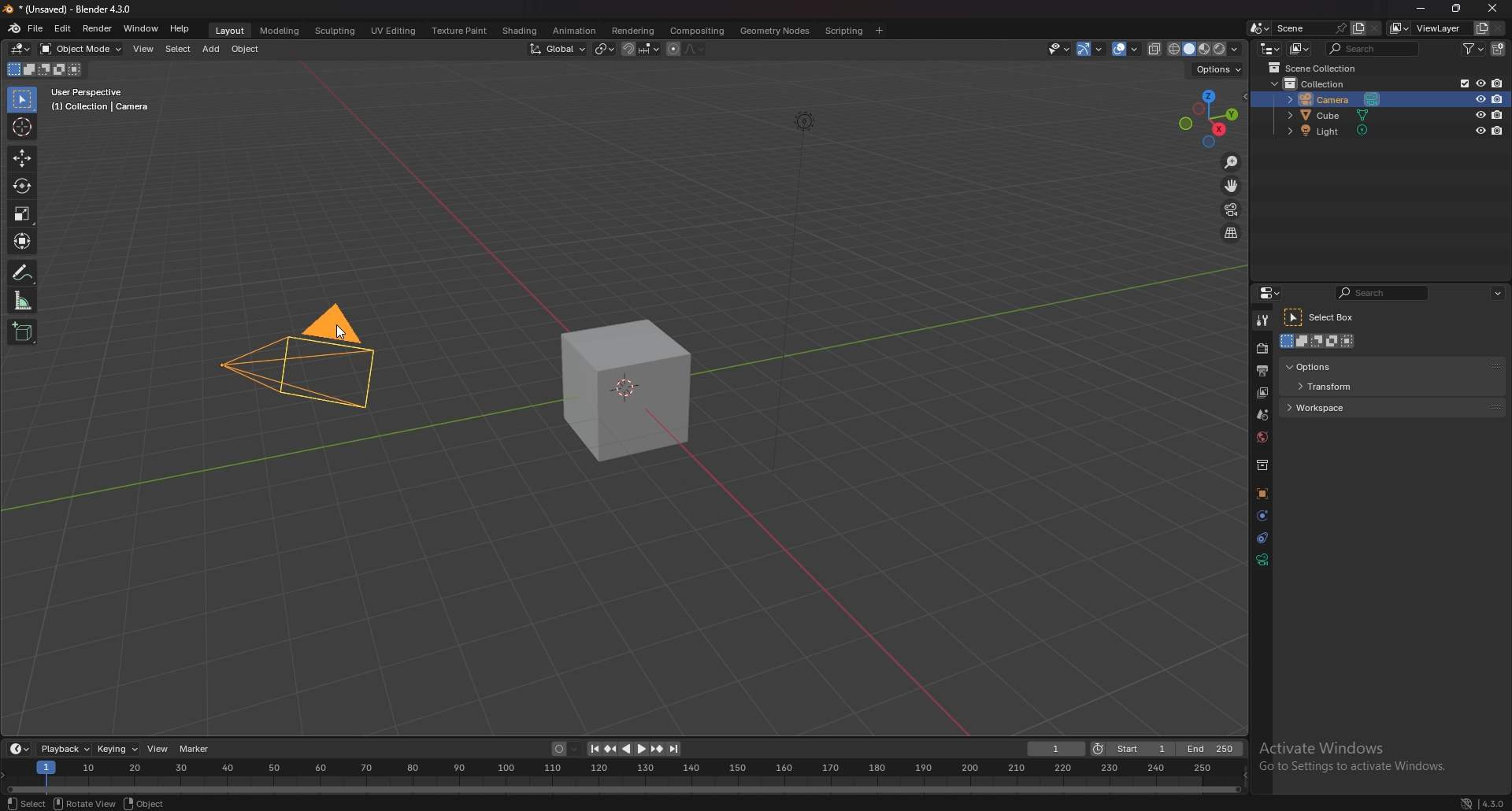 The image size is (1512, 811). I want to click on scene, so click(1264, 415).